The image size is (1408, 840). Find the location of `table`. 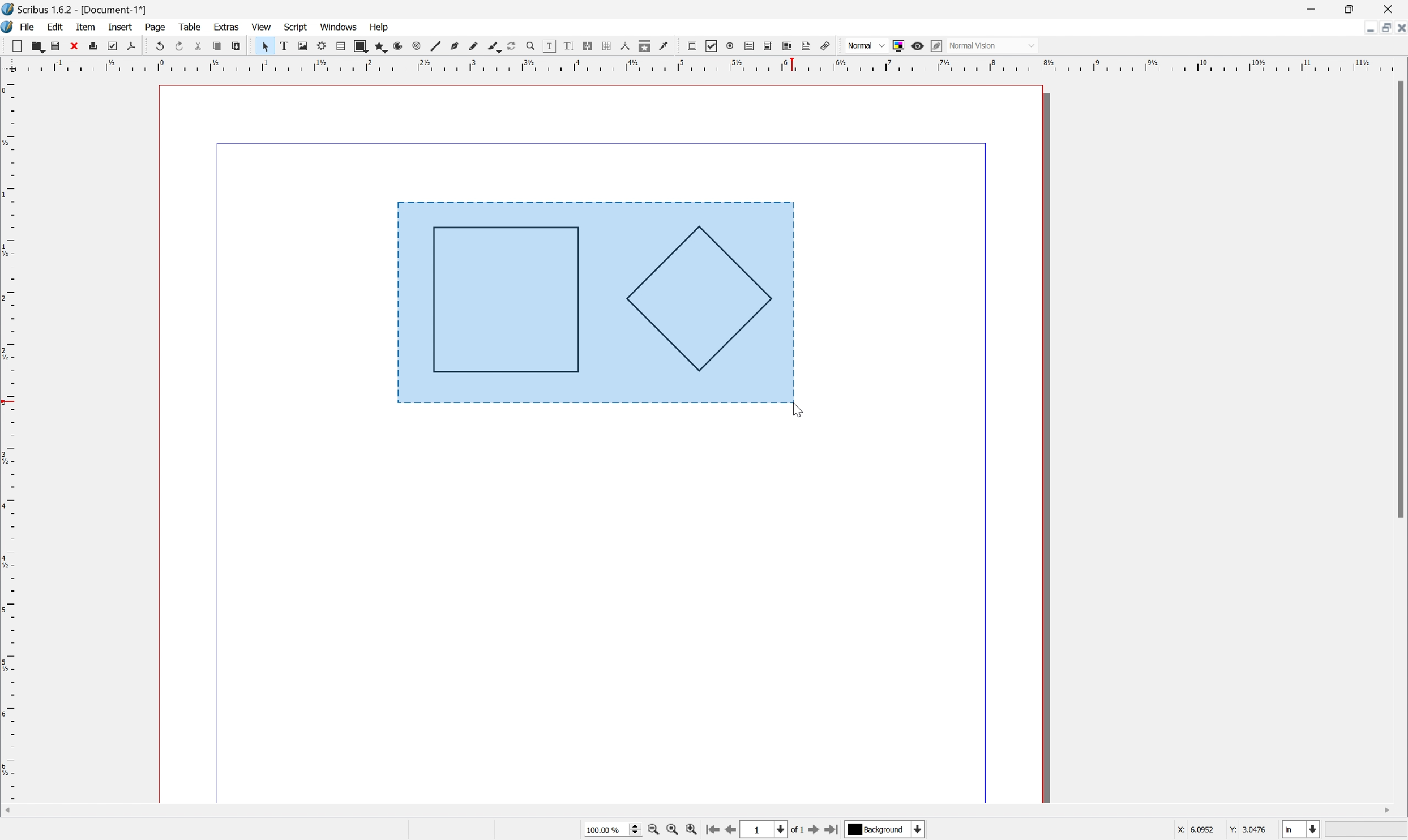

table is located at coordinates (339, 46).